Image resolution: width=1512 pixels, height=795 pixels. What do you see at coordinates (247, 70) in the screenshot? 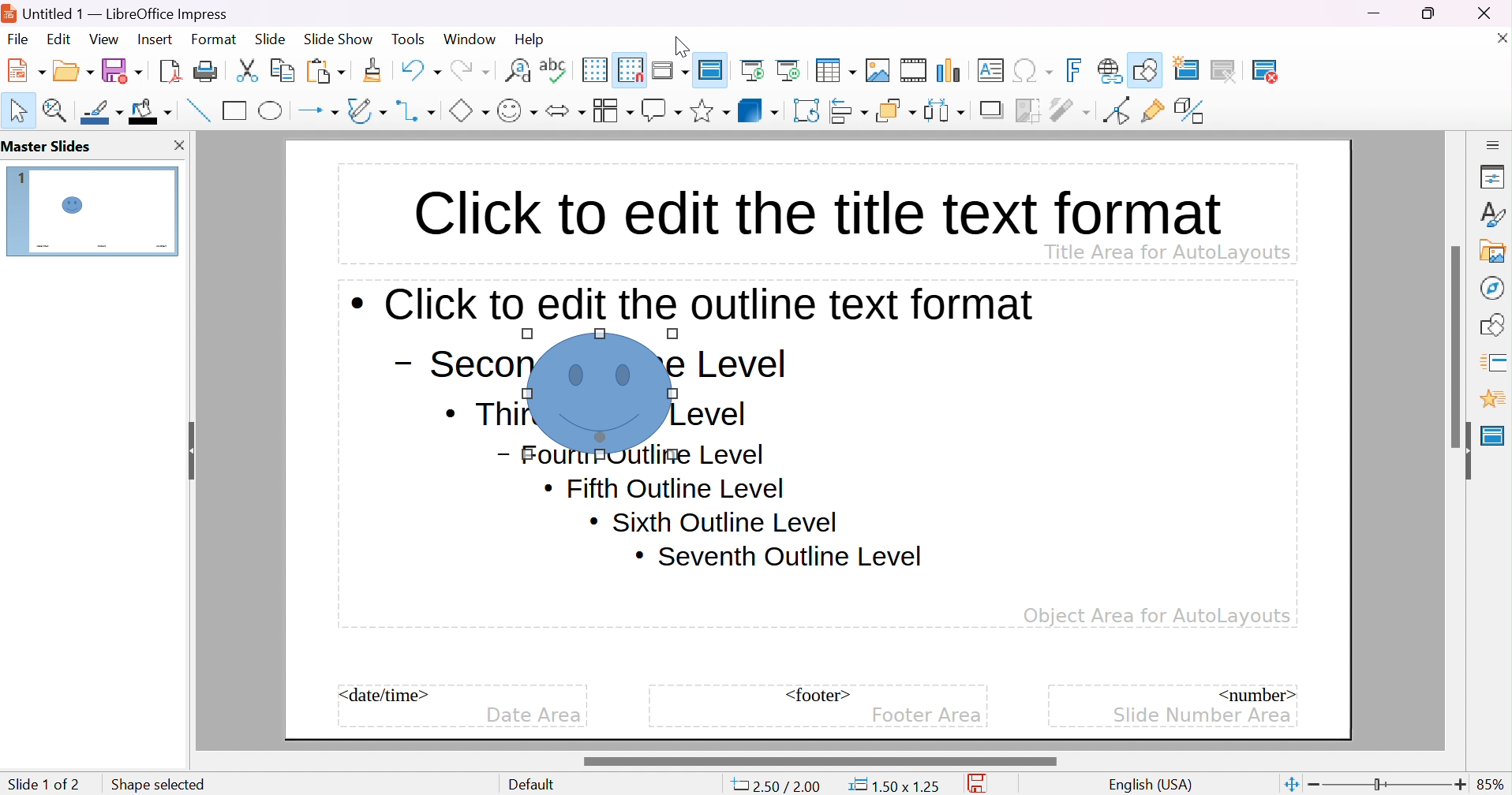
I see `cut` at bounding box center [247, 70].